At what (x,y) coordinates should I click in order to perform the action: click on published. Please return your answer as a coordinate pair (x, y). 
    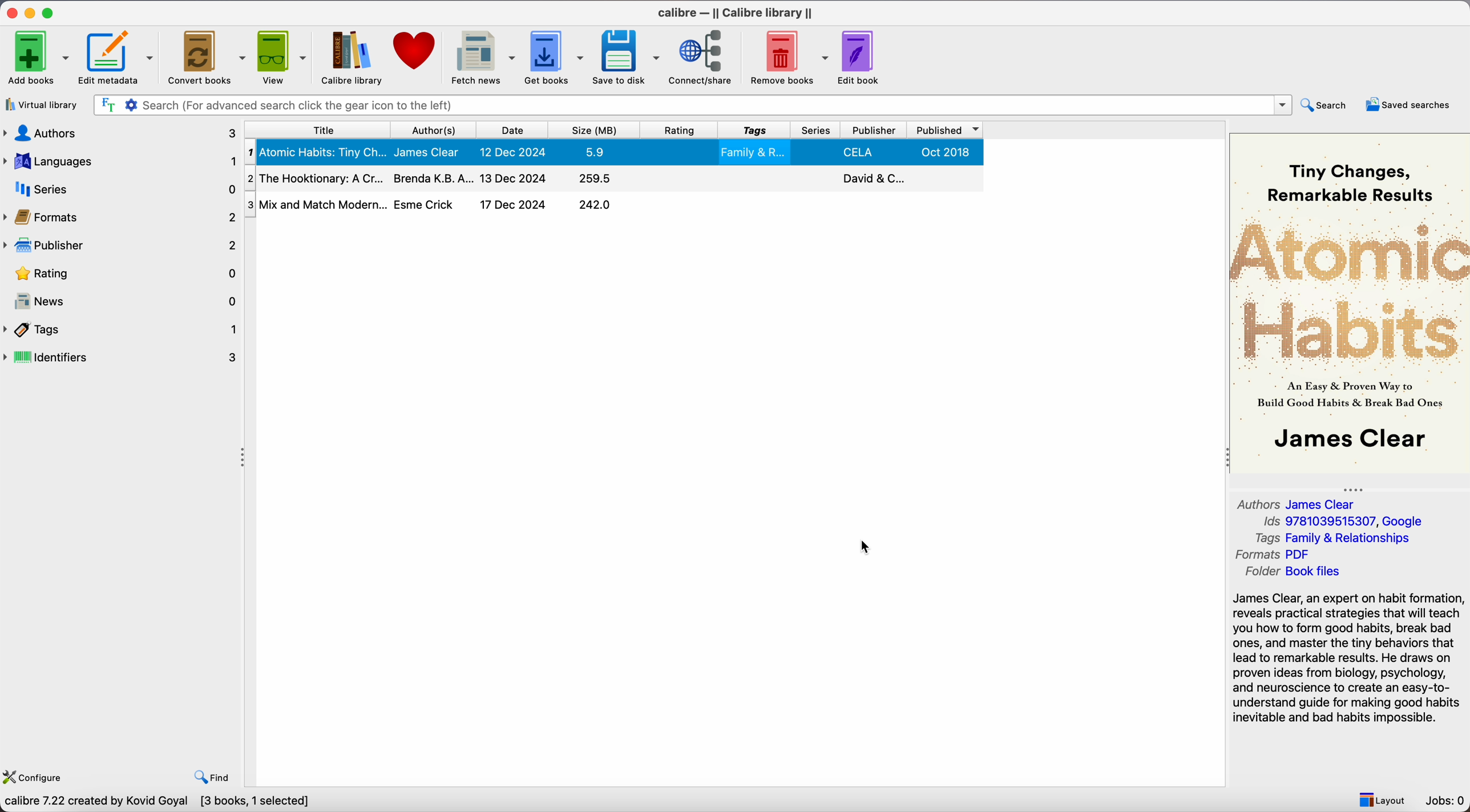
    Looking at the image, I should click on (947, 130).